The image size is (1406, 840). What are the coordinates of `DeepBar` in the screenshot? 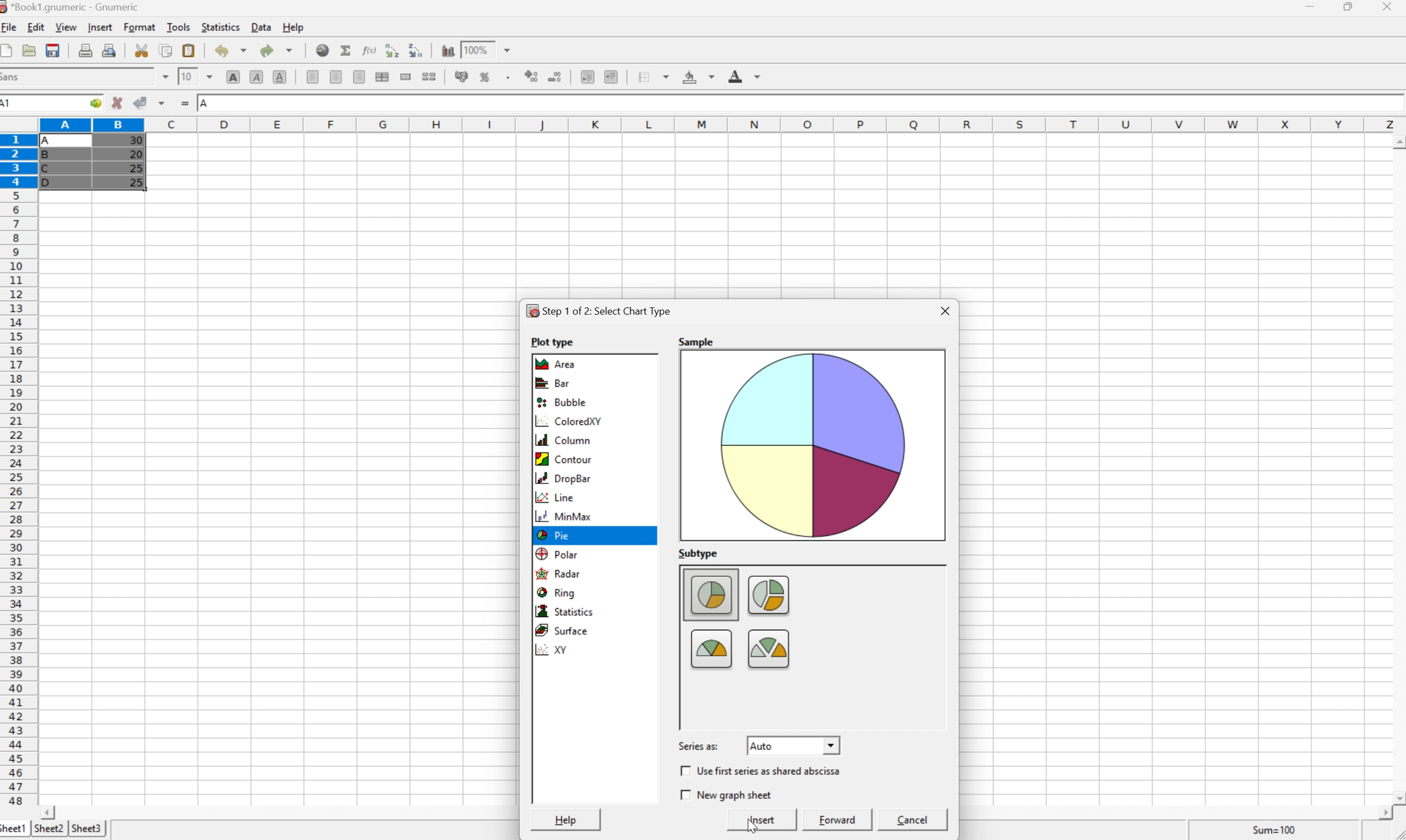 It's located at (562, 478).